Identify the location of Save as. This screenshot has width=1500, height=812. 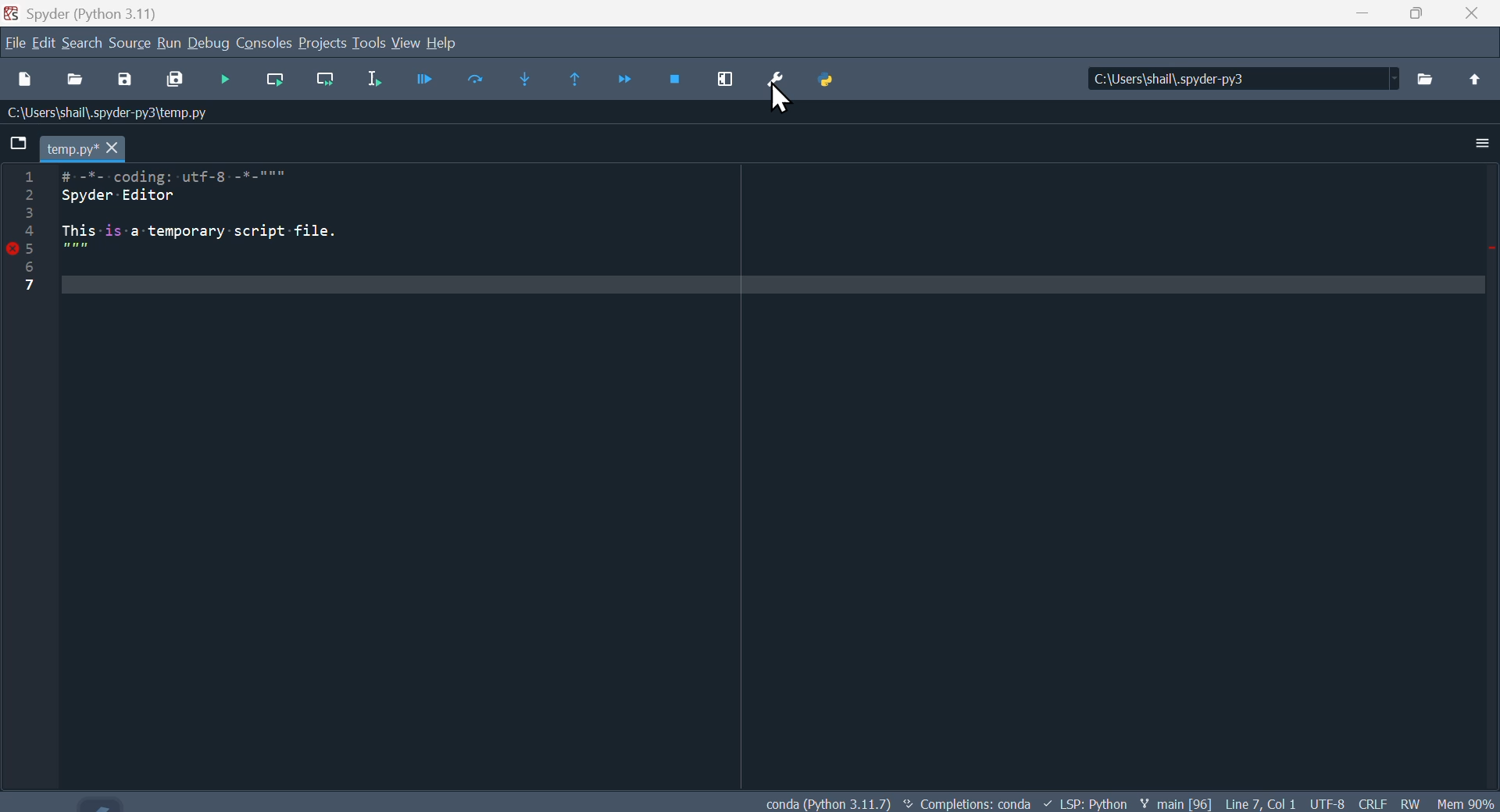
(130, 80).